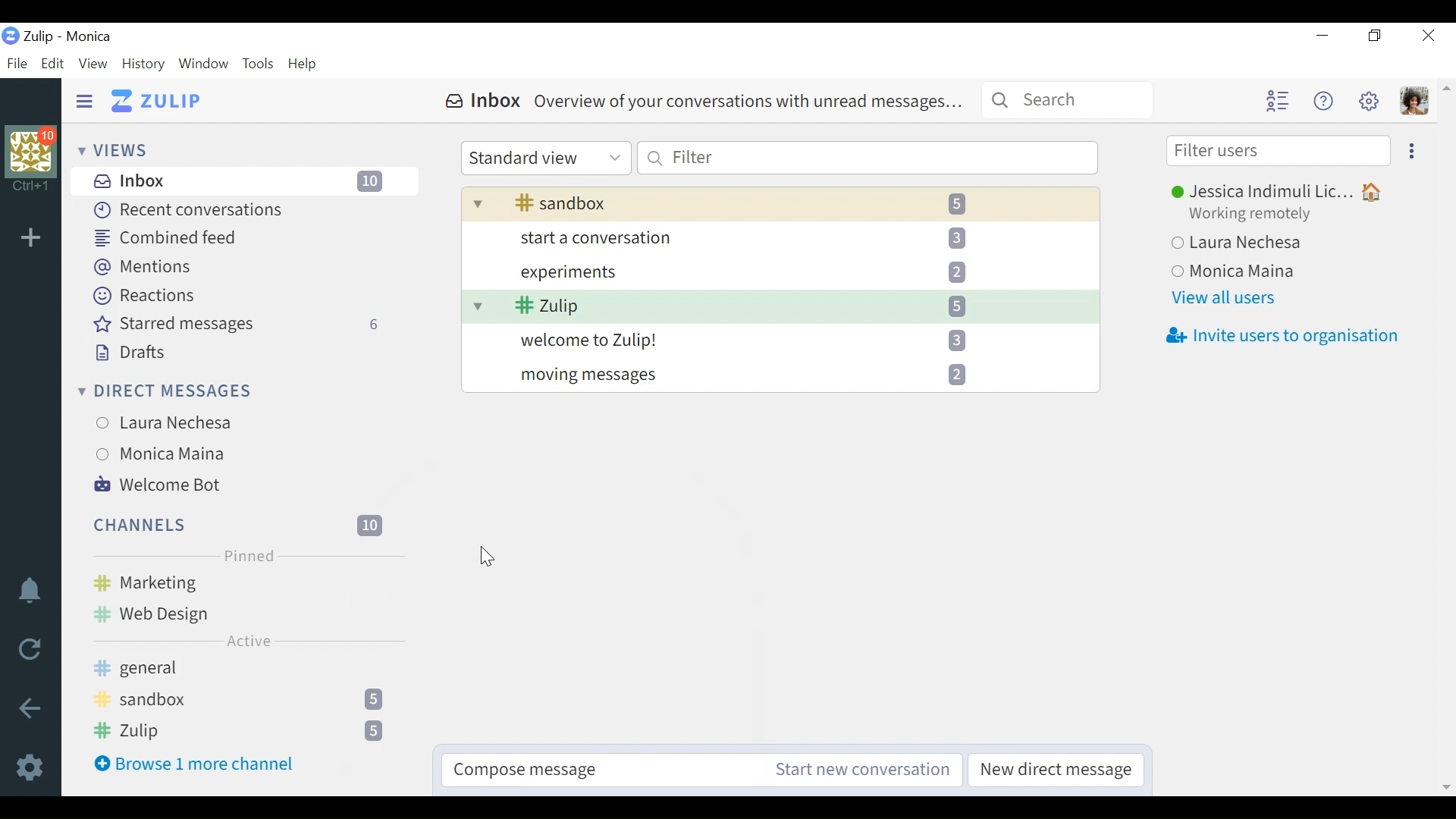 The height and width of the screenshot is (819, 1456). What do you see at coordinates (1260, 215) in the screenshot?
I see `Working remotely` at bounding box center [1260, 215].